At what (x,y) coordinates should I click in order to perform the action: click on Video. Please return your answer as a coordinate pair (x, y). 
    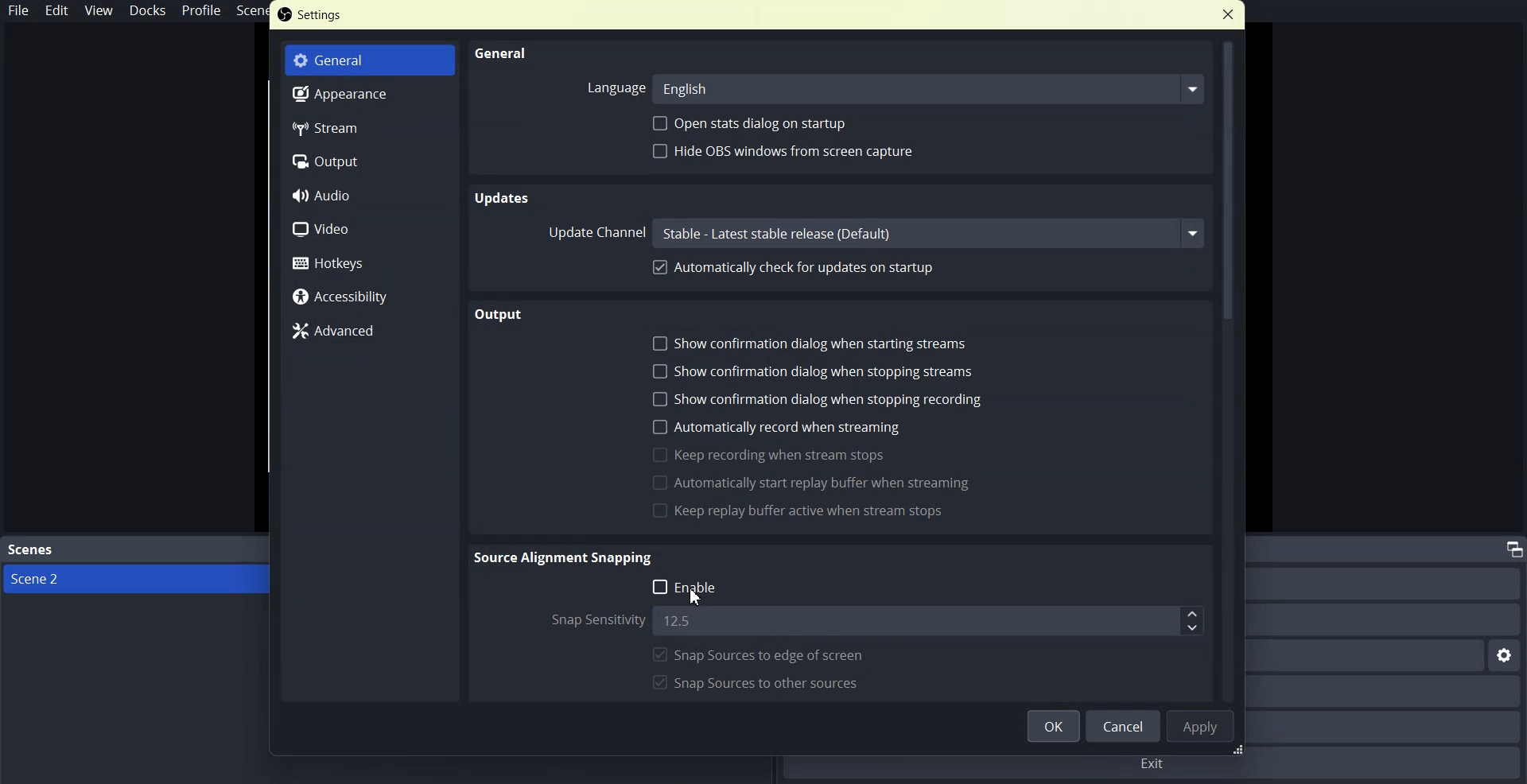
    Looking at the image, I should click on (368, 226).